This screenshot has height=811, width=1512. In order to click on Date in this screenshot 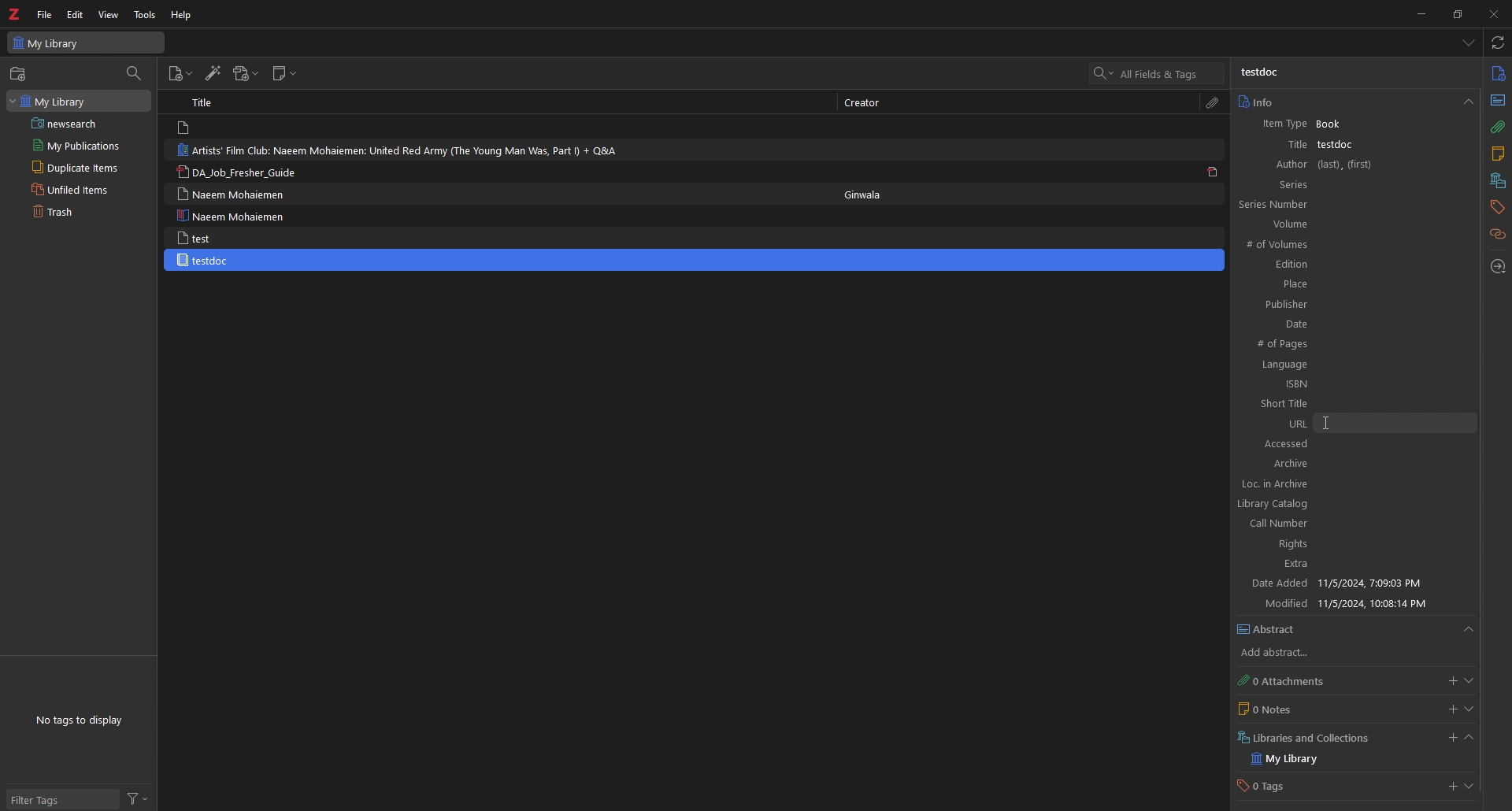, I will do `click(1333, 324)`.